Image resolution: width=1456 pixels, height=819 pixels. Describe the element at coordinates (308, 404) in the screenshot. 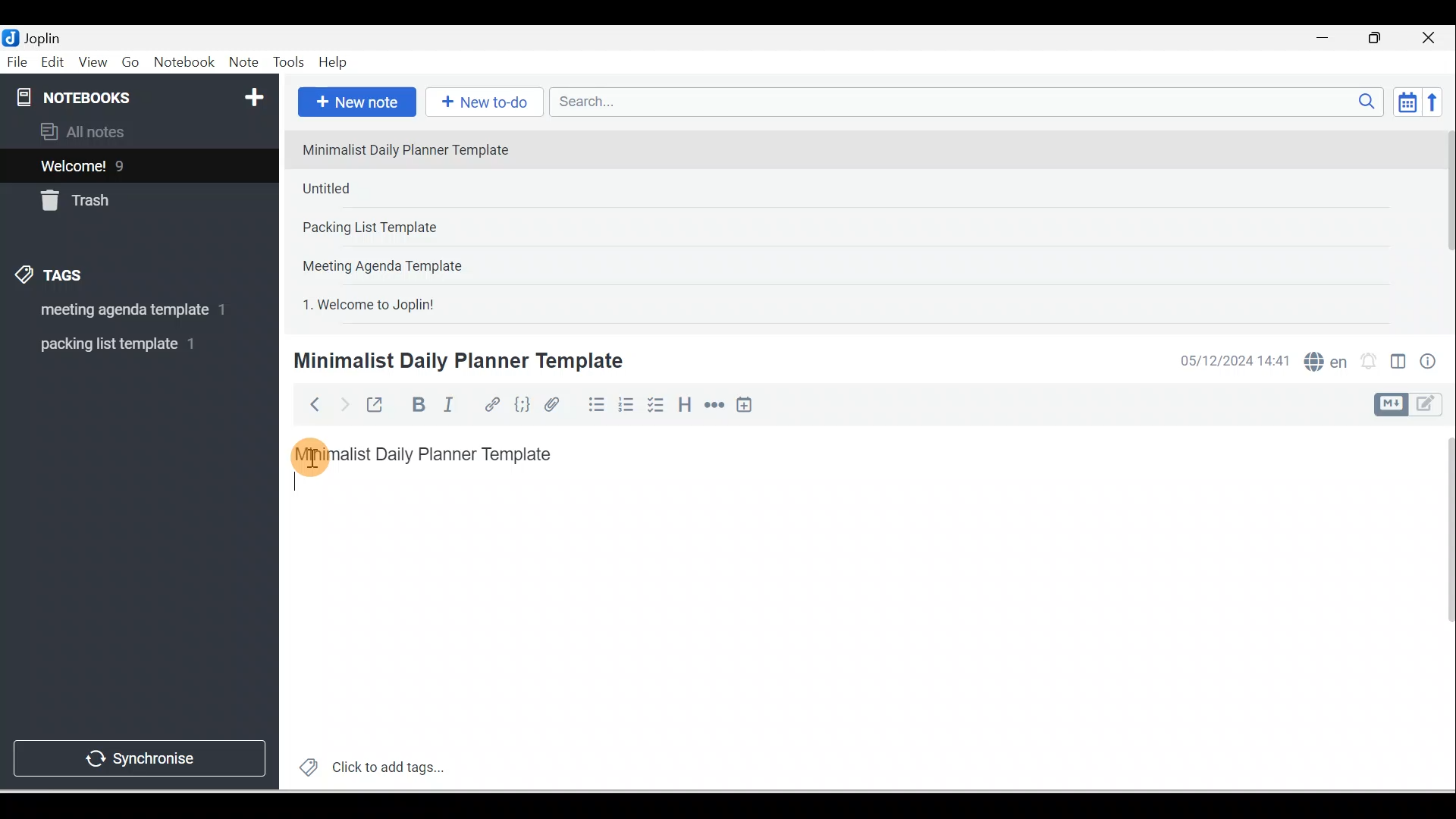

I see `Back` at that location.